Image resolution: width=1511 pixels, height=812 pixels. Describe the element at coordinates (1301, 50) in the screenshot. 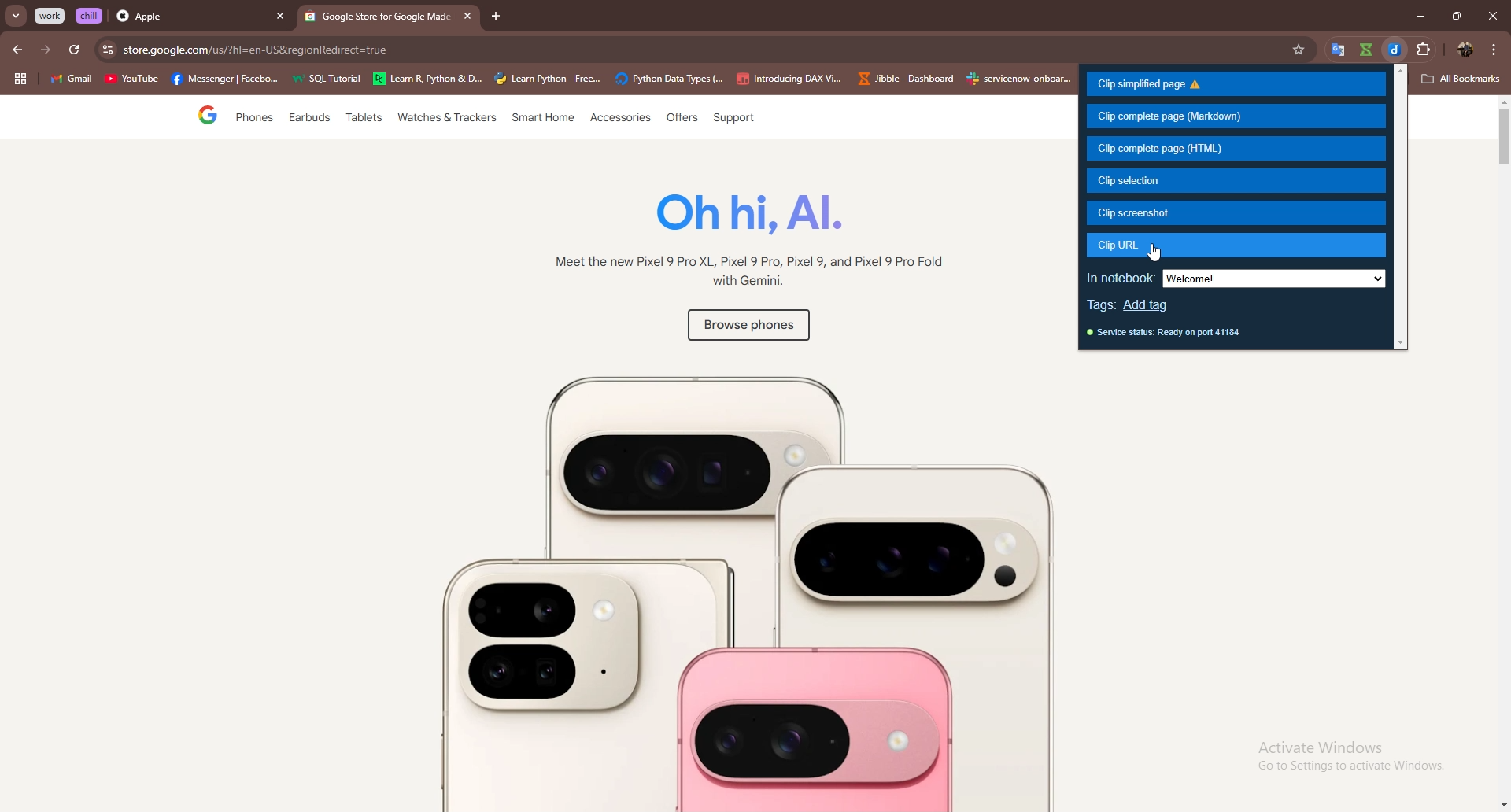

I see `favorites` at that location.